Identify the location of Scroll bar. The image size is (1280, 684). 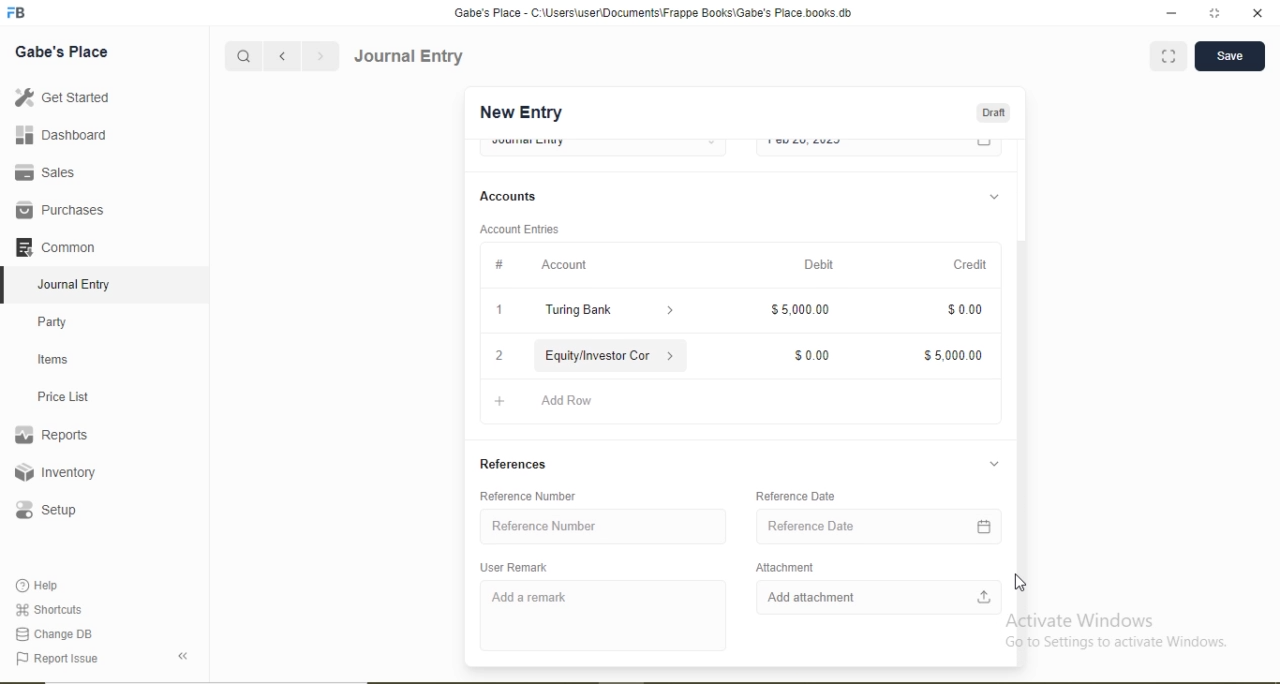
(1021, 386).